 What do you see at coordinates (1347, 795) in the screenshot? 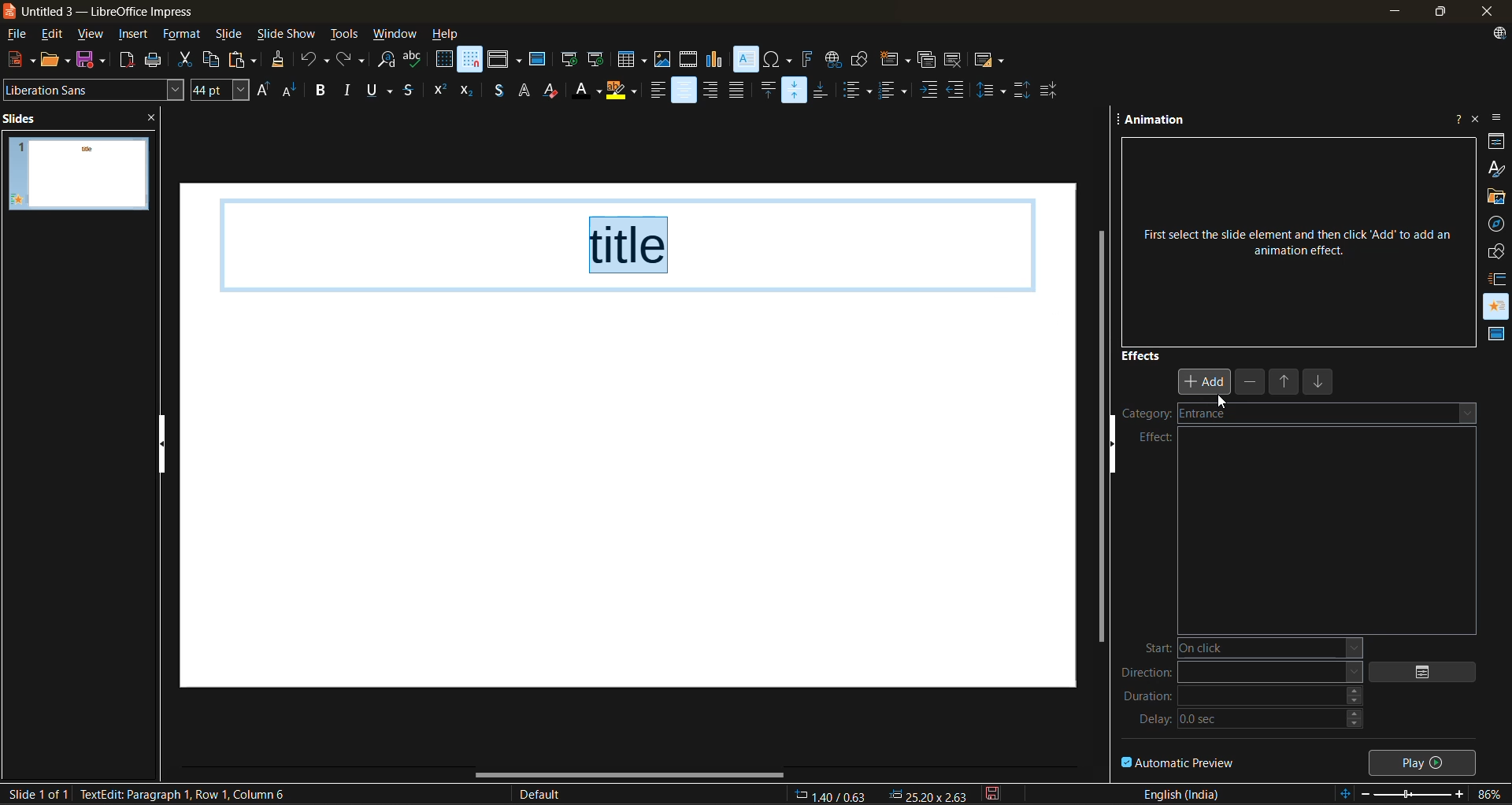
I see `fit to slide` at bounding box center [1347, 795].